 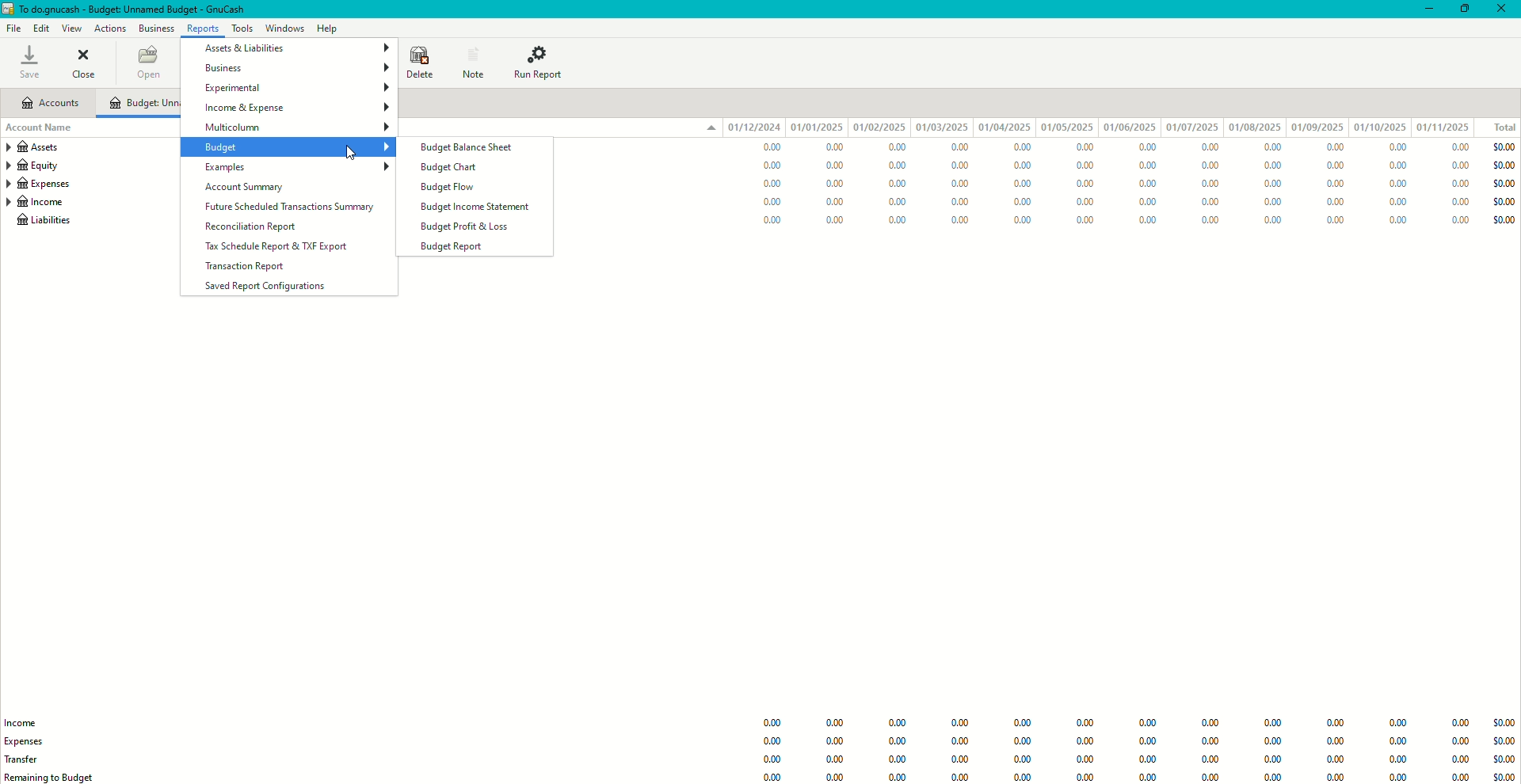 What do you see at coordinates (1082, 725) in the screenshot?
I see `` at bounding box center [1082, 725].